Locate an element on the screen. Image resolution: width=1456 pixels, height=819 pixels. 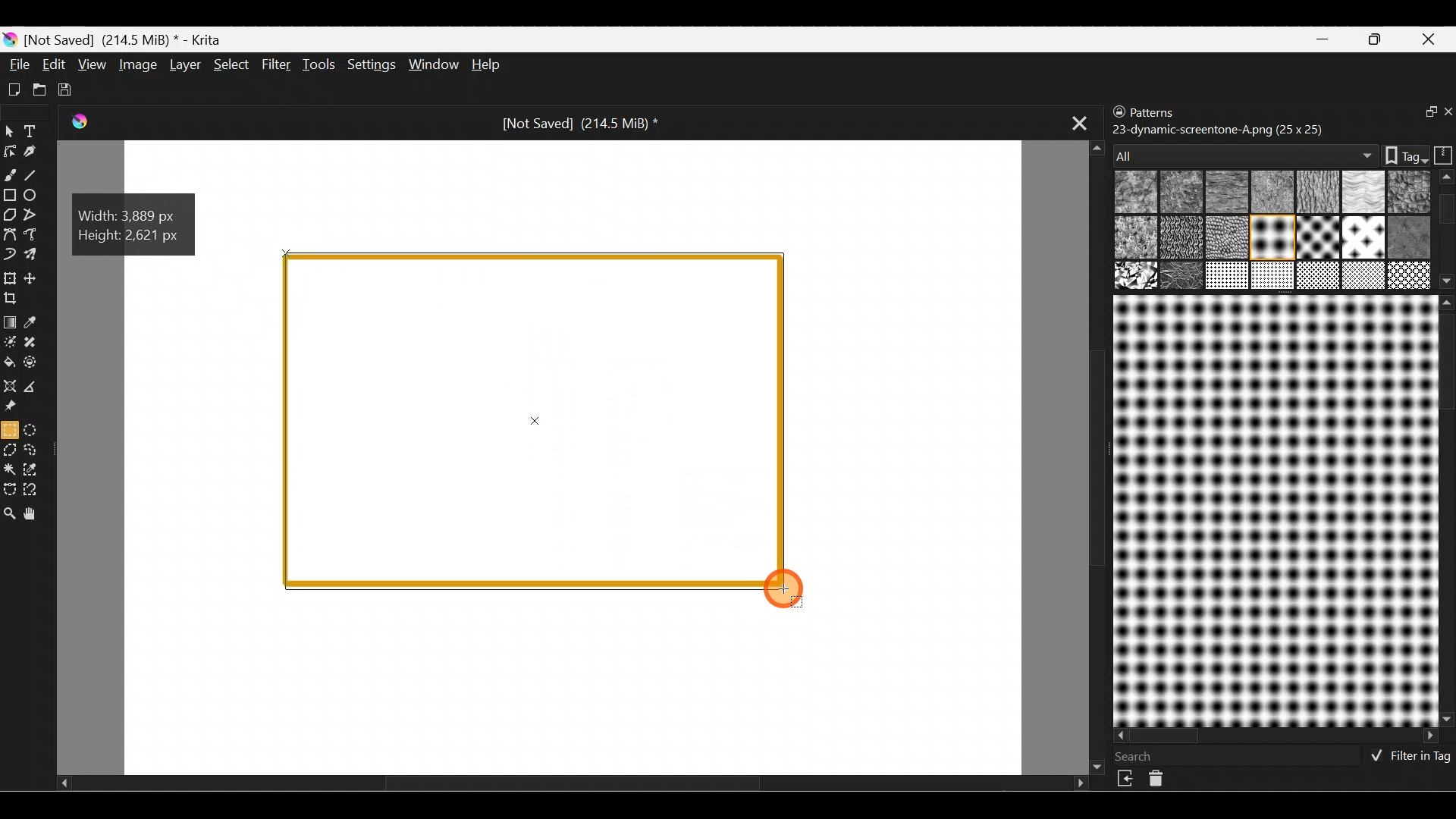
Help is located at coordinates (488, 64).